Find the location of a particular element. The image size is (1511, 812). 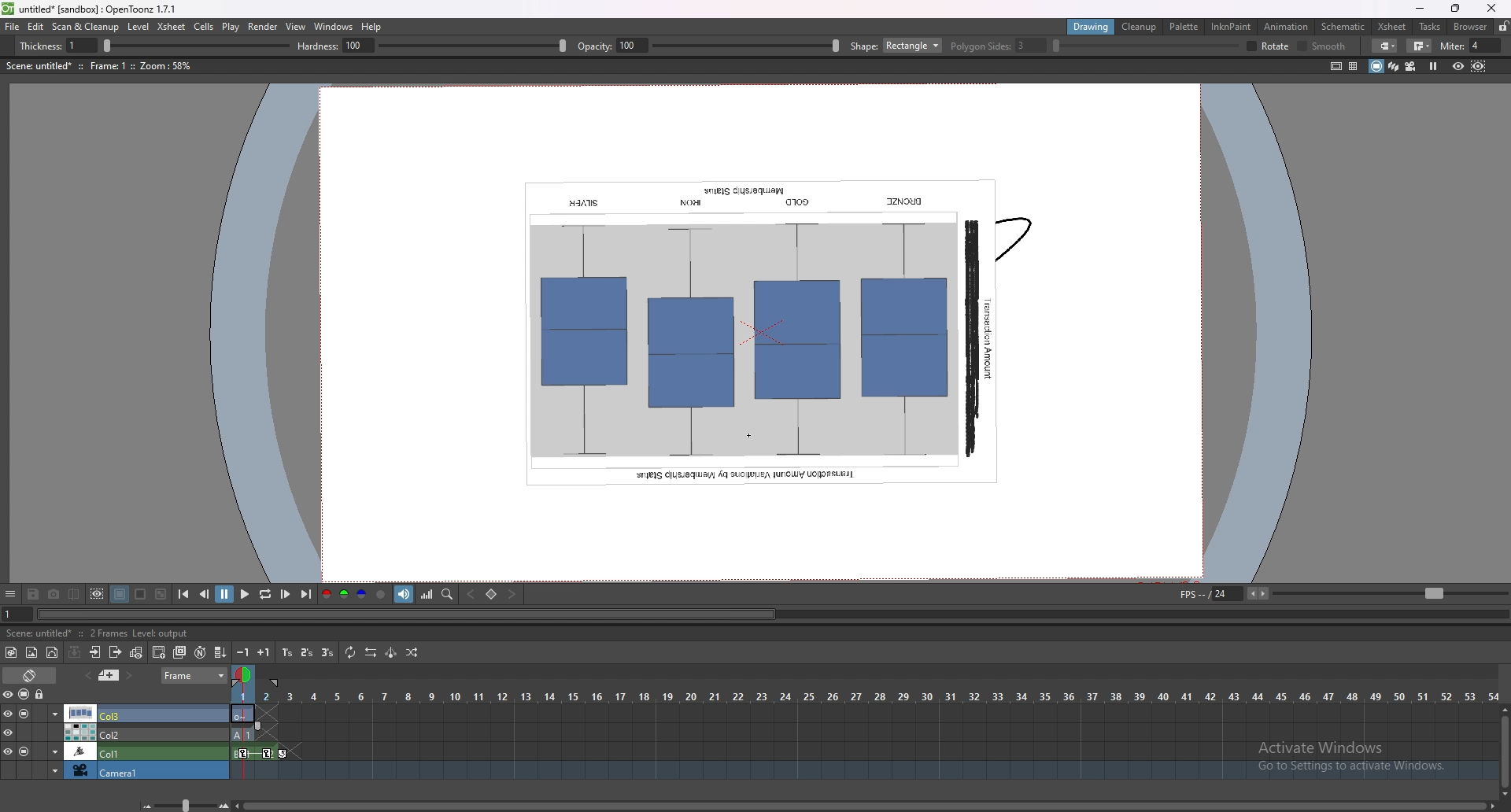

frame is located at coordinates (195, 674).